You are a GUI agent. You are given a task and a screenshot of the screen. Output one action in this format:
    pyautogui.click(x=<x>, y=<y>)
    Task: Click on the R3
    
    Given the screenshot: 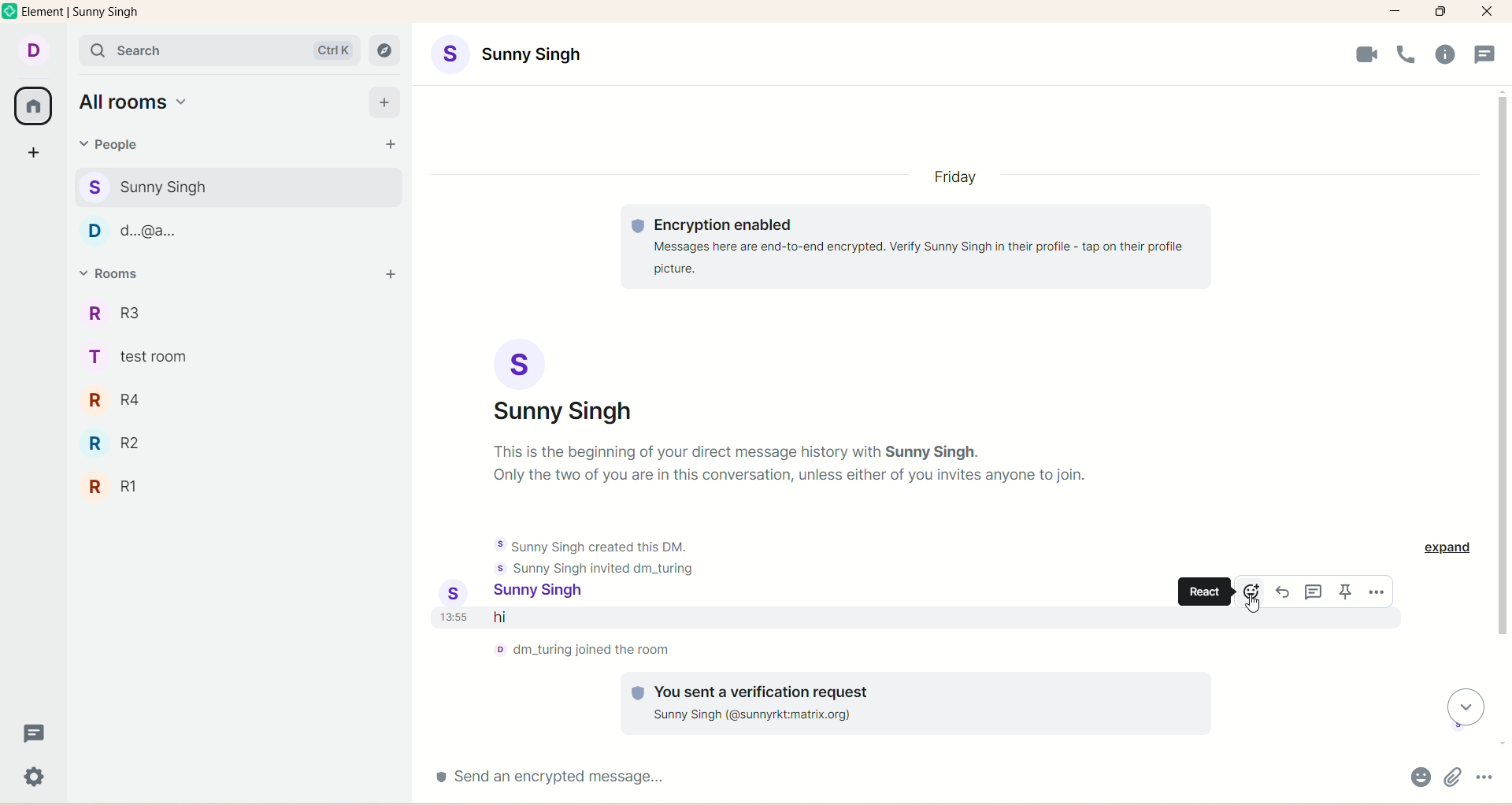 What is the action you would take?
    pyautogui.click(x=127, y=312)
    